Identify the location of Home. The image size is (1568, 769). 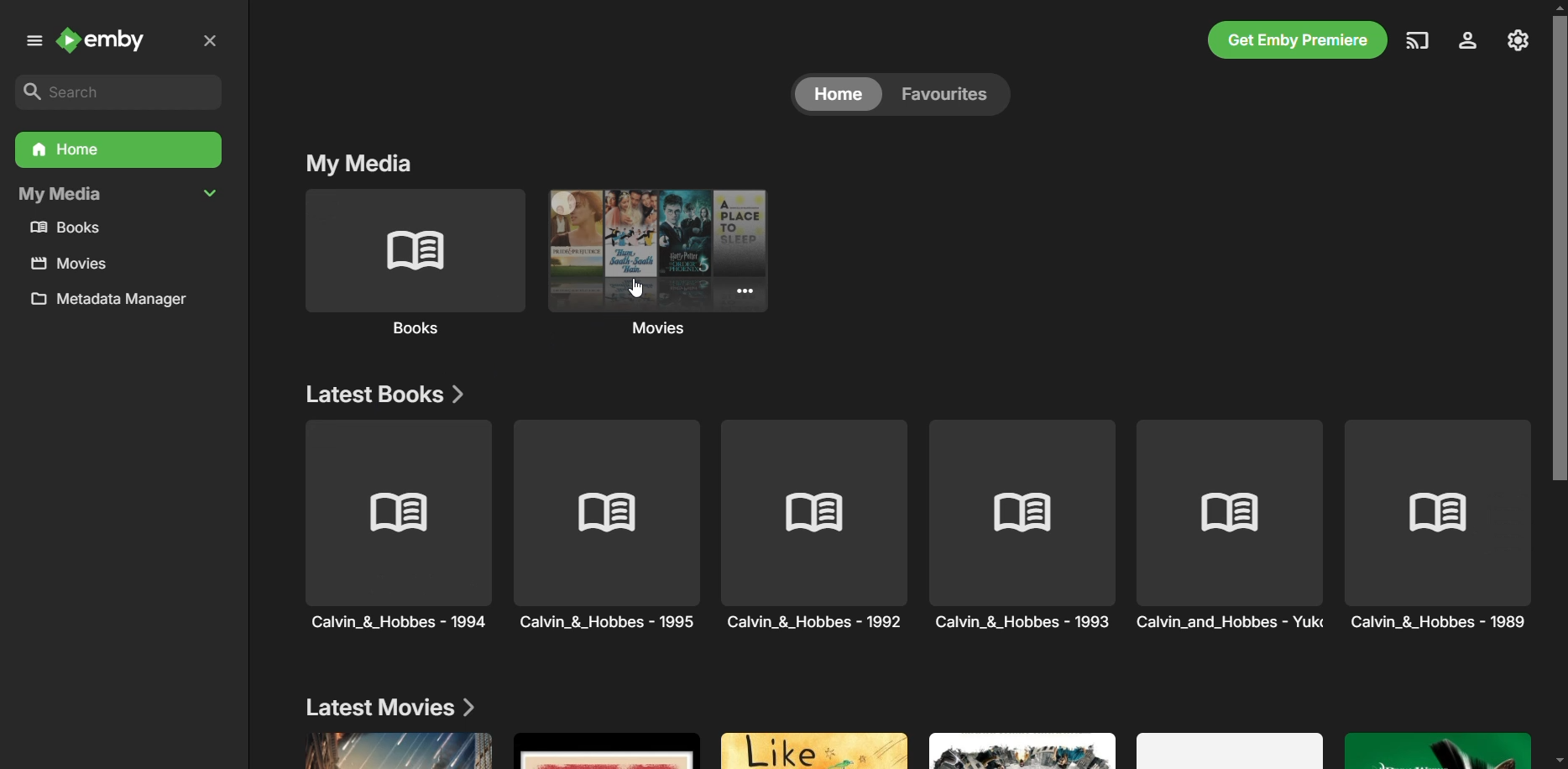
(117, 150).